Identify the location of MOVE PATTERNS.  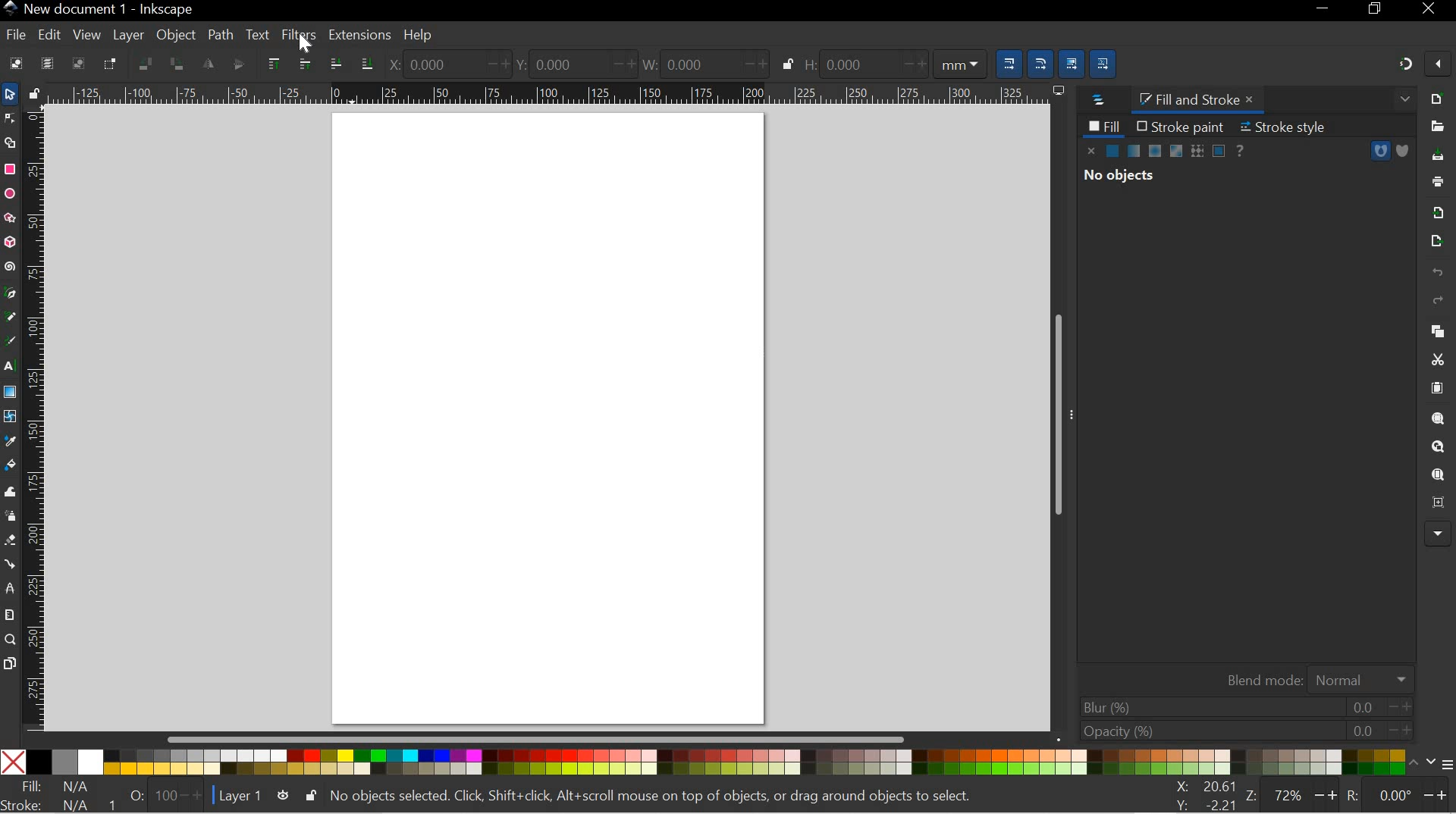
(1106, 61).